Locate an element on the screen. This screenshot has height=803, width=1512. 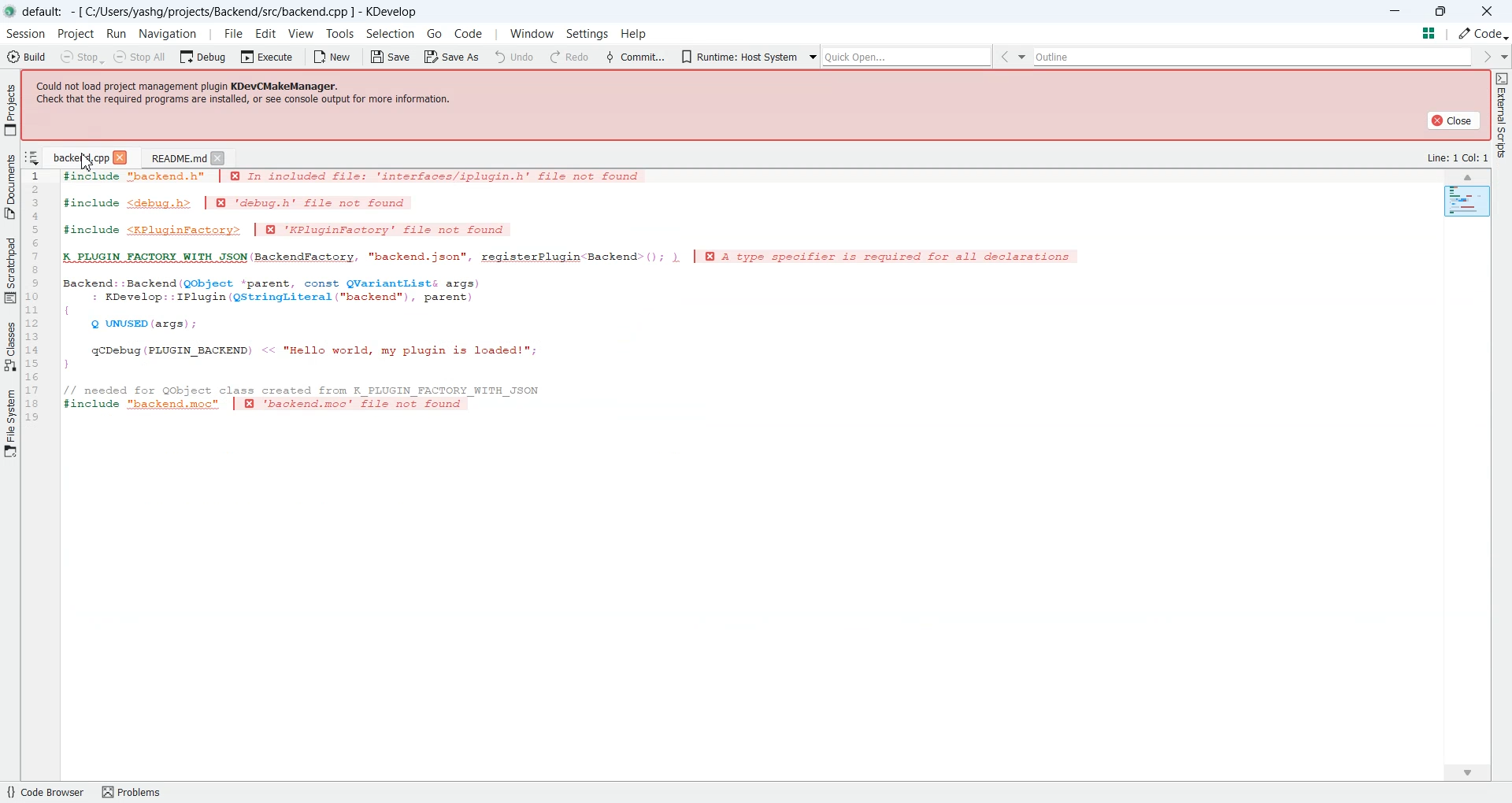
Execute is located at coordinates (269, 56).